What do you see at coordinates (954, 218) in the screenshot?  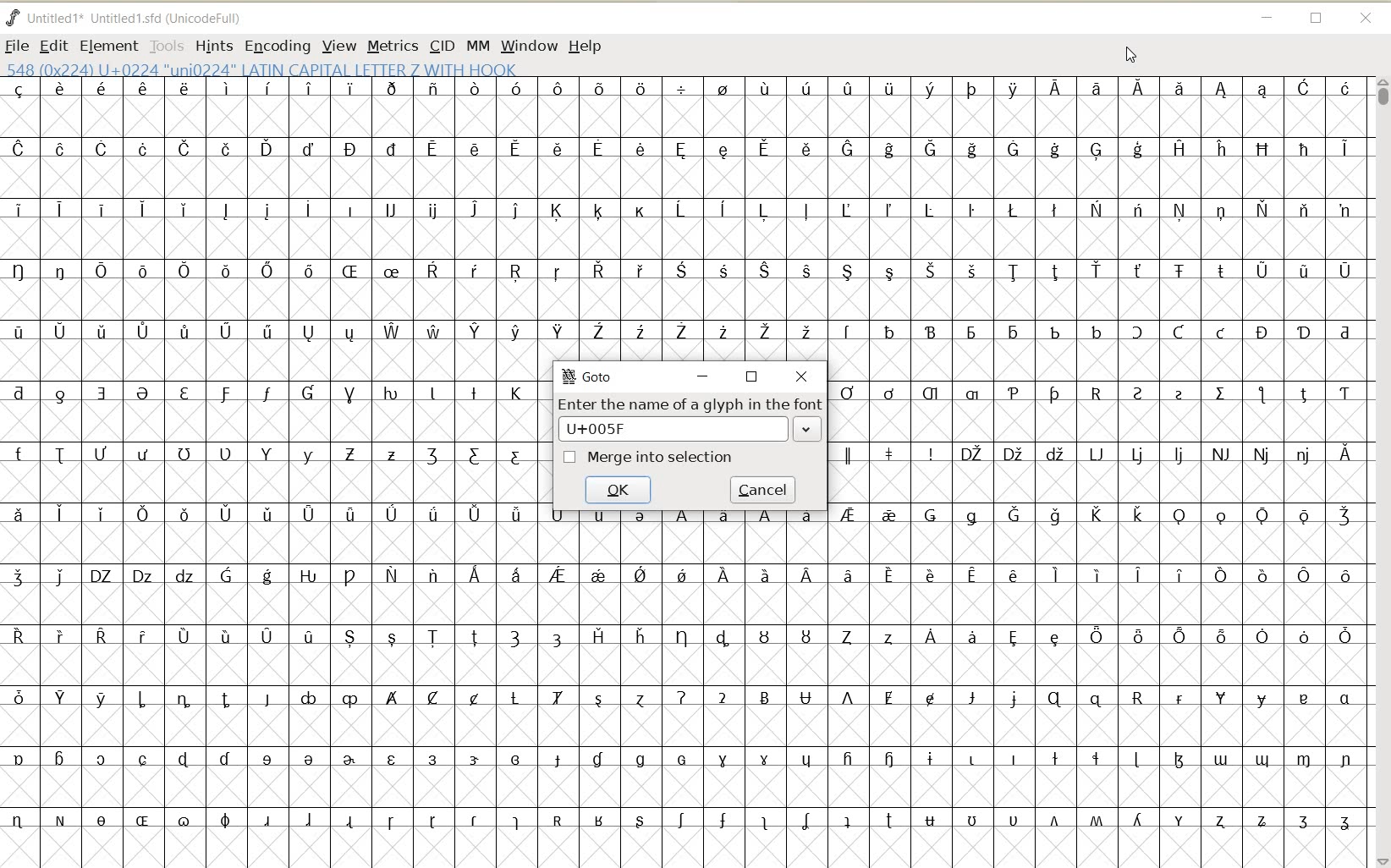 I see `GLYPHY CHARACTERS & NUMBERS` at bounding box center [954, 218].